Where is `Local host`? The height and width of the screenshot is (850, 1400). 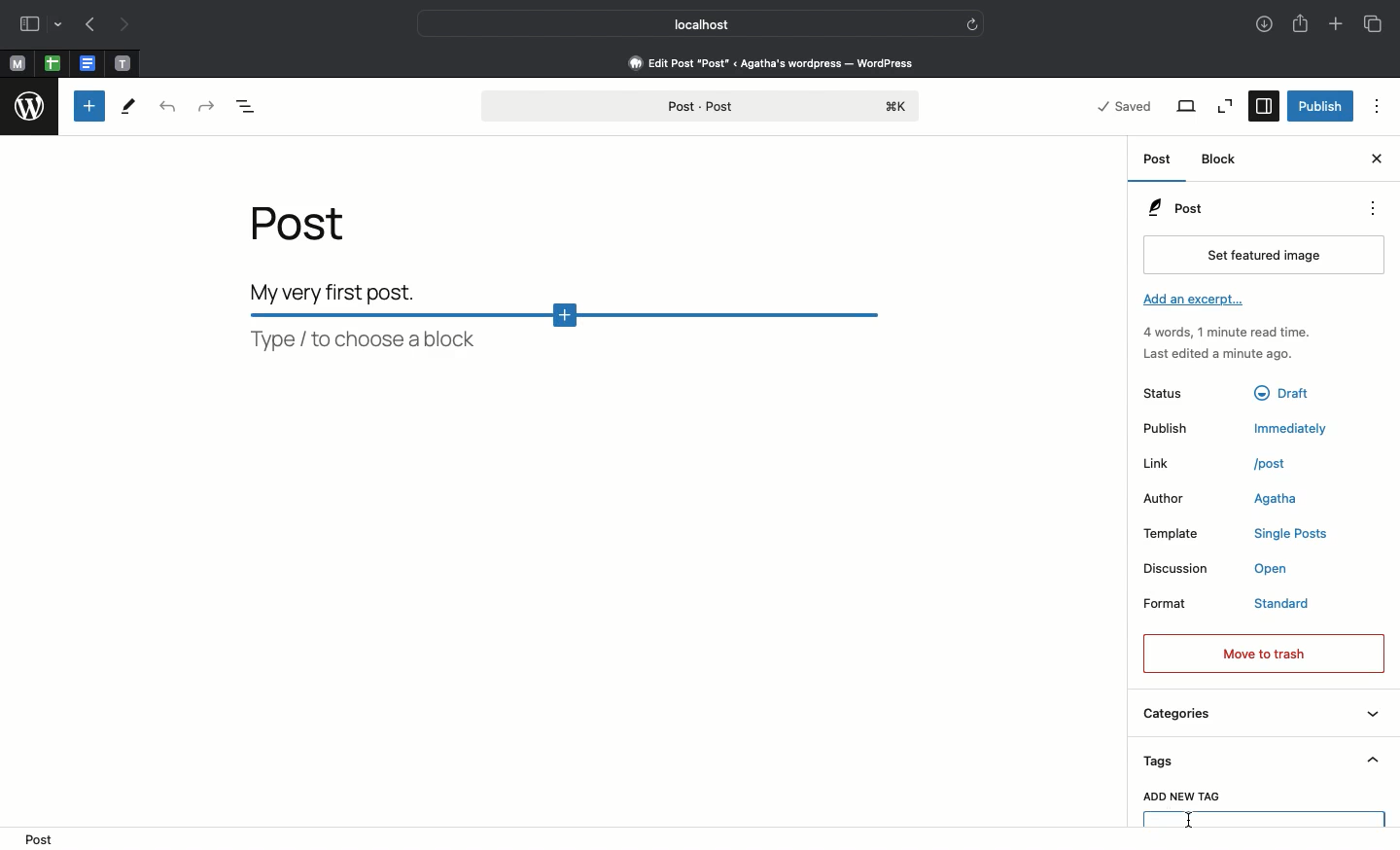 Local host is located at coordinates (688, 25).